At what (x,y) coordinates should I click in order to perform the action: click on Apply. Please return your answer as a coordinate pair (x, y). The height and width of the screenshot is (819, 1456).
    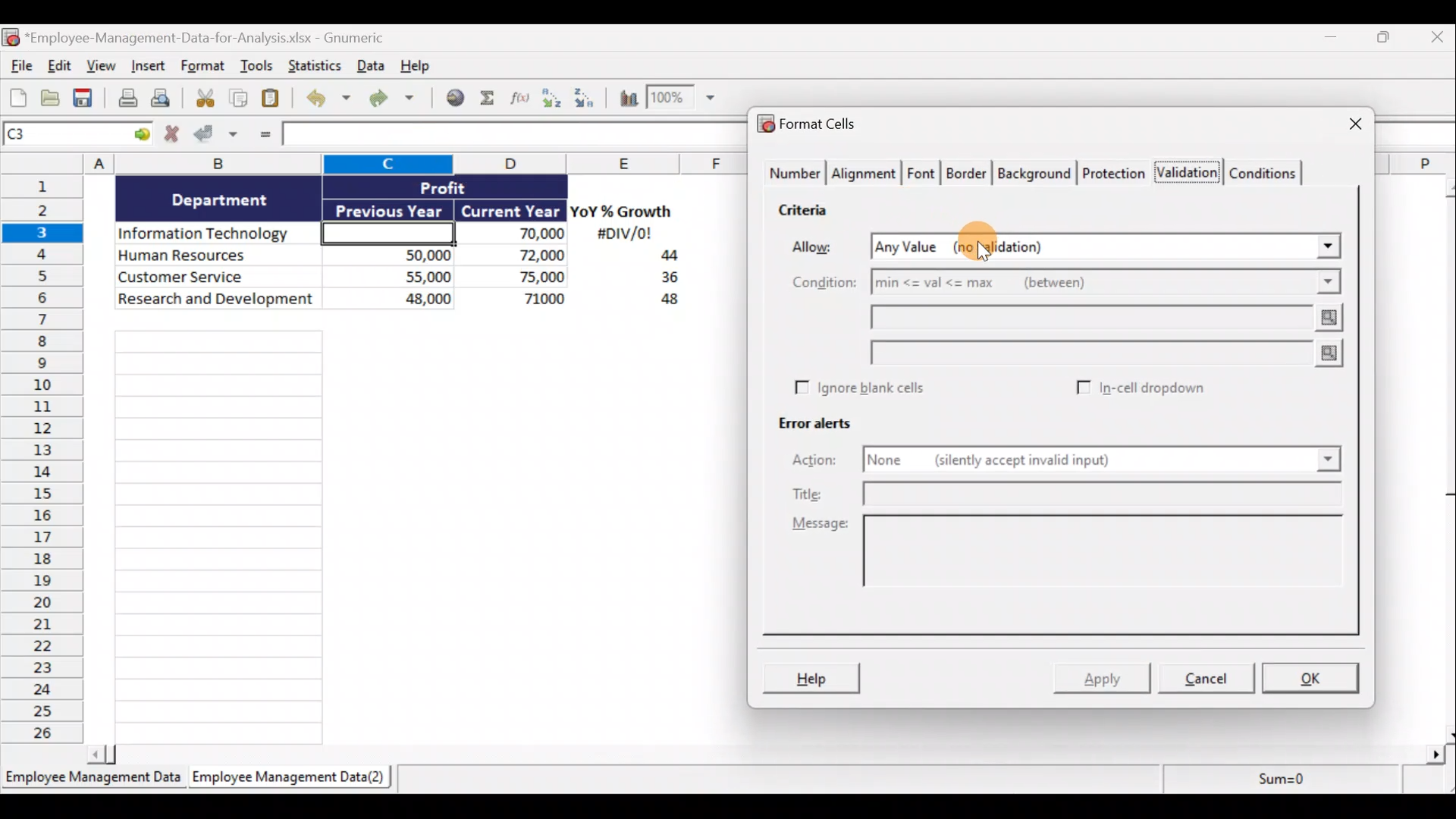
    Looking at the image, I should click on (1103, 679).